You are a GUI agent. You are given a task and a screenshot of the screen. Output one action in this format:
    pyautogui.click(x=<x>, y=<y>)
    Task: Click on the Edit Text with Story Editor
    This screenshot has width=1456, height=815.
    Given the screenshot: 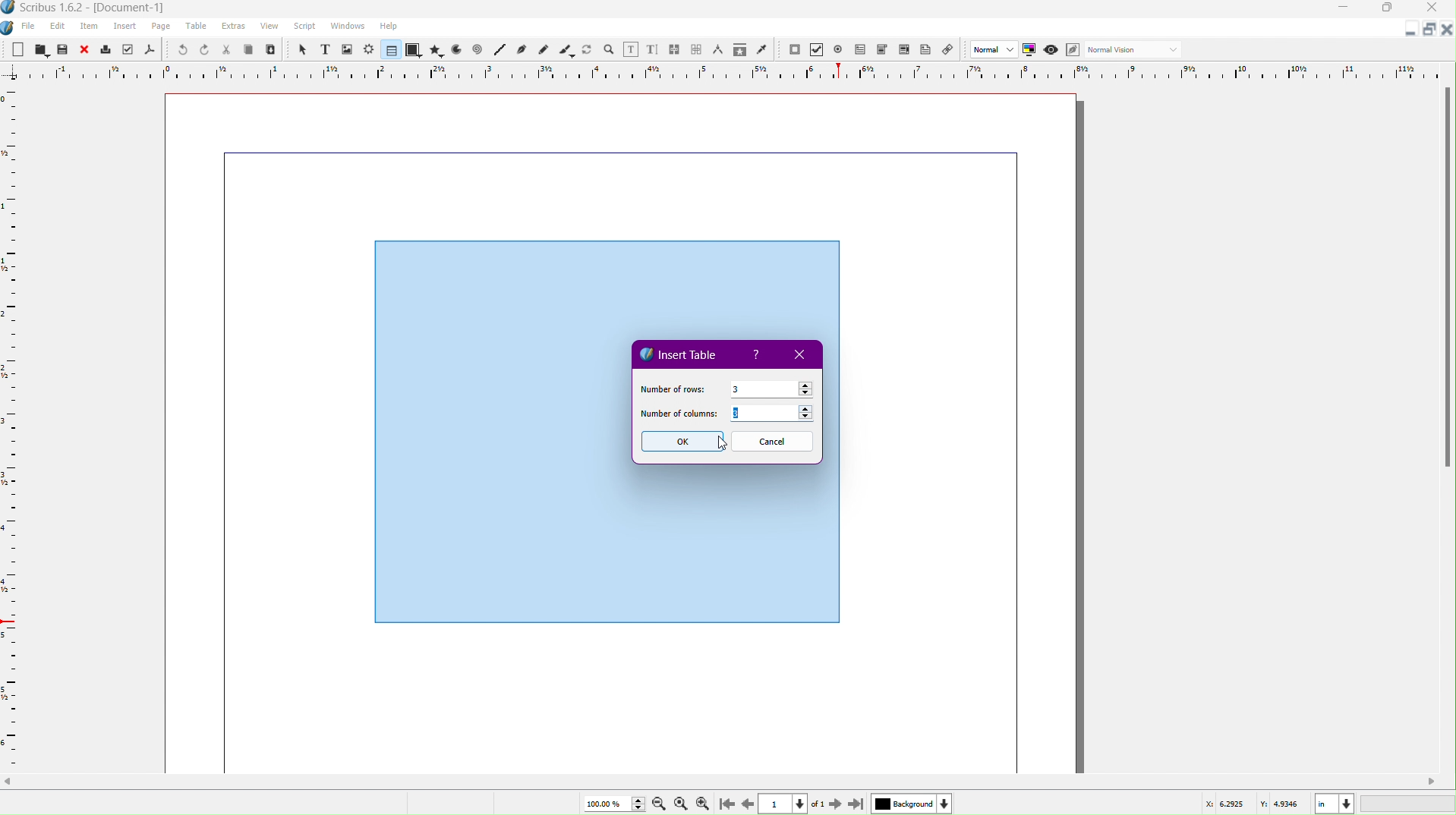 What is the action you would take?
    pyautogui.click(x=653, y=49)
    